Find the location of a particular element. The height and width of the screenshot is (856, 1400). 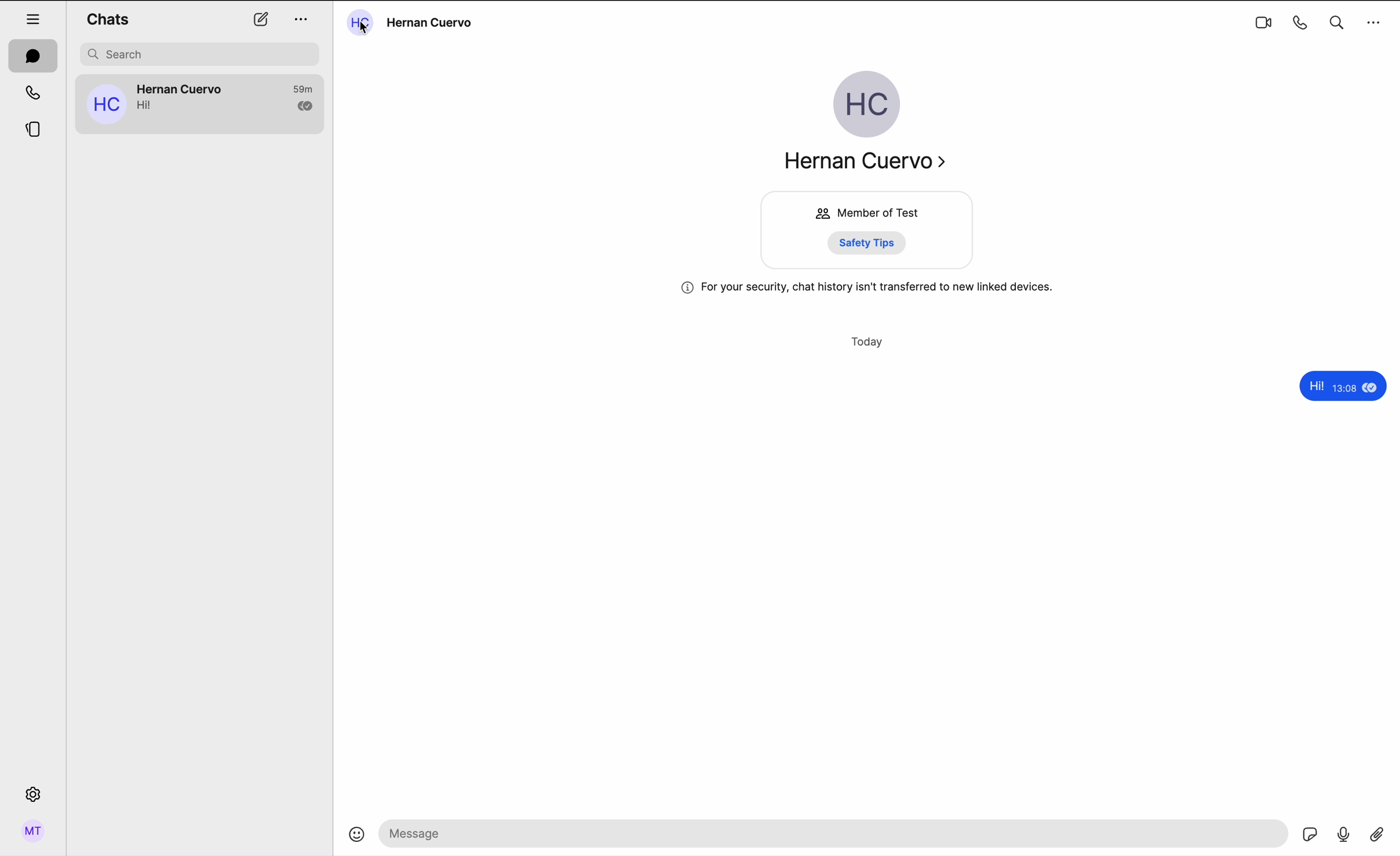

chats is located at coordinates (111, 18).